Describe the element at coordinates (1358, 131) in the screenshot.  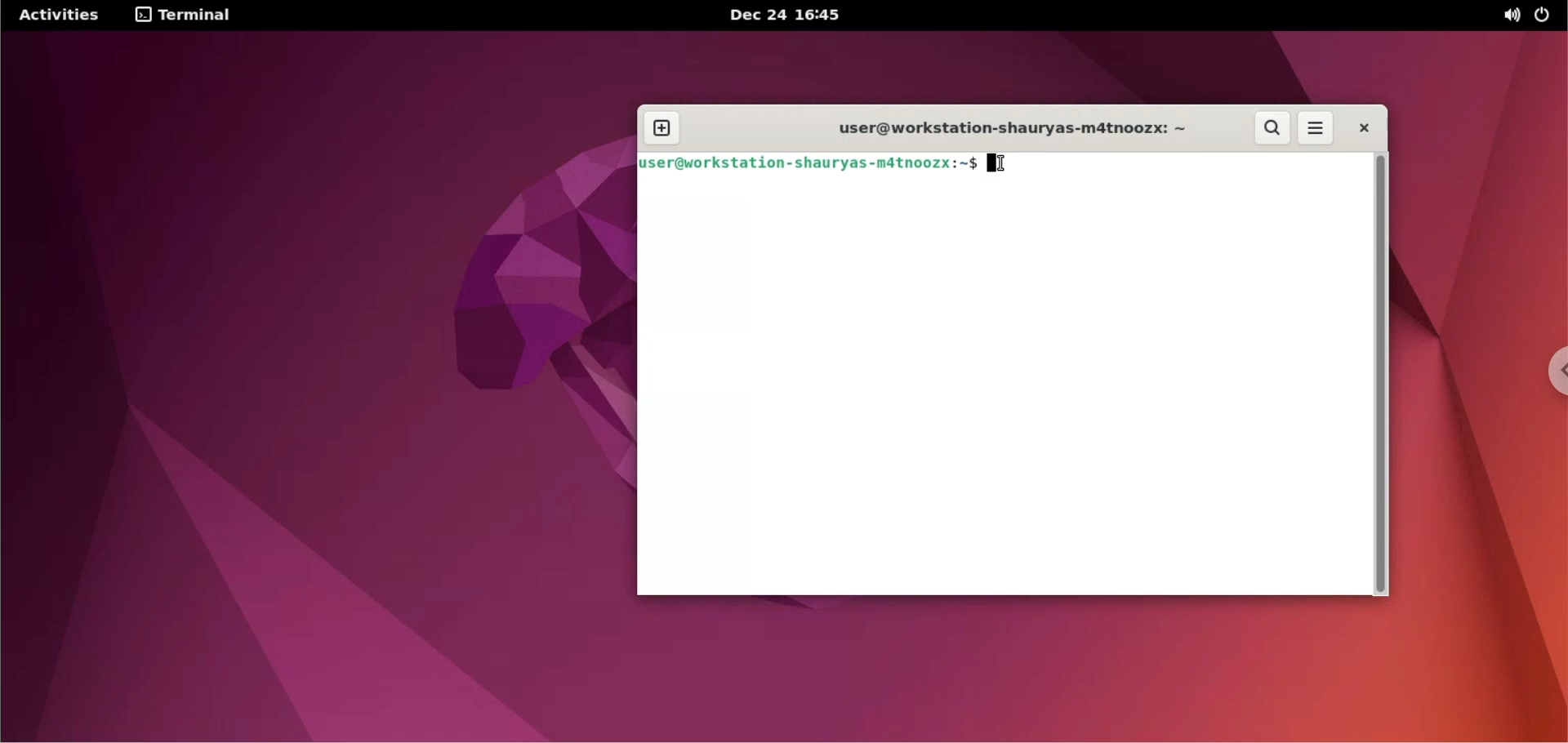
I see `close terminal` at that location.